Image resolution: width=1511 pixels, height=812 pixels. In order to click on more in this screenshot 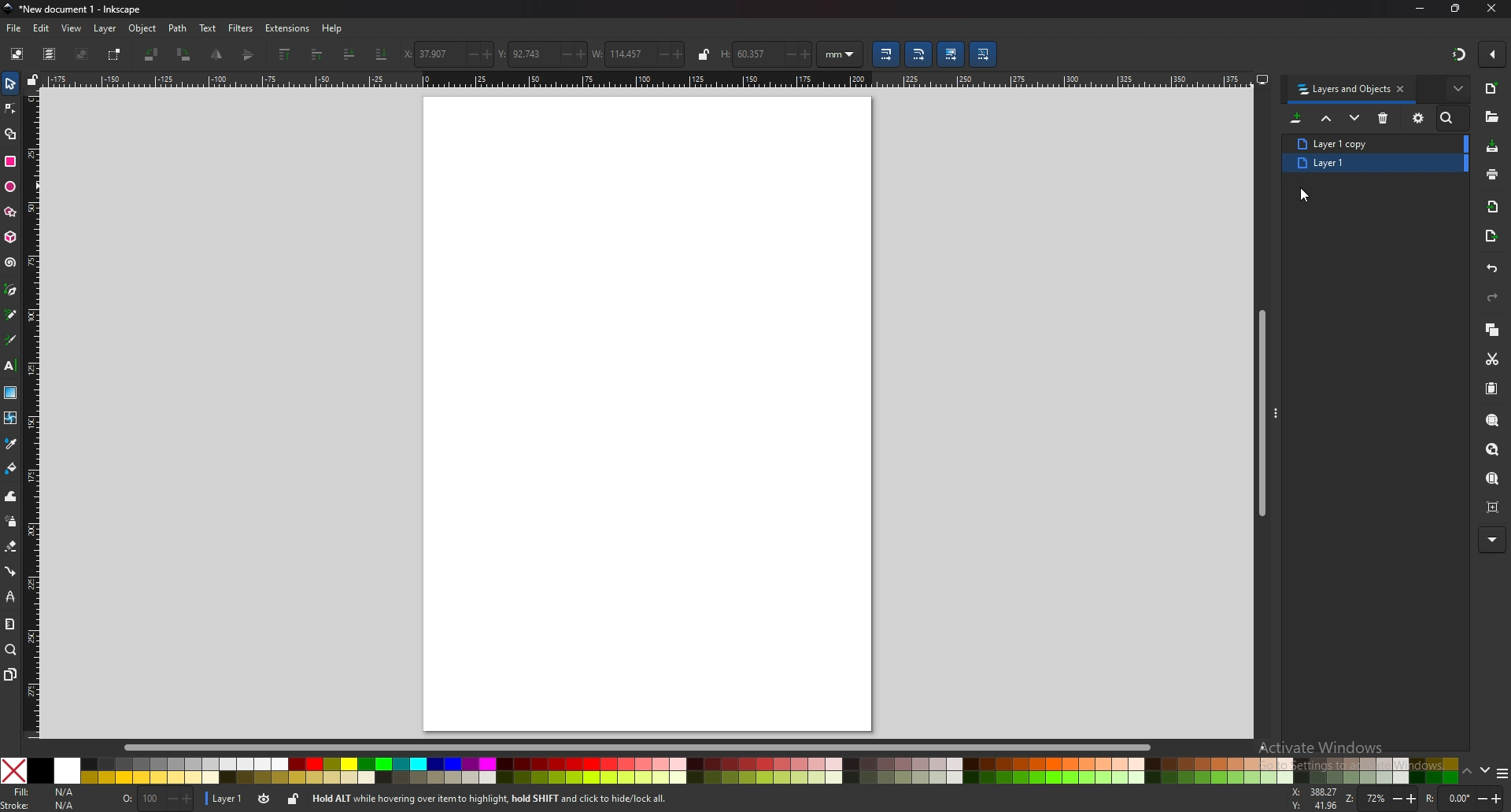, I will do `click(1491, 541)`.